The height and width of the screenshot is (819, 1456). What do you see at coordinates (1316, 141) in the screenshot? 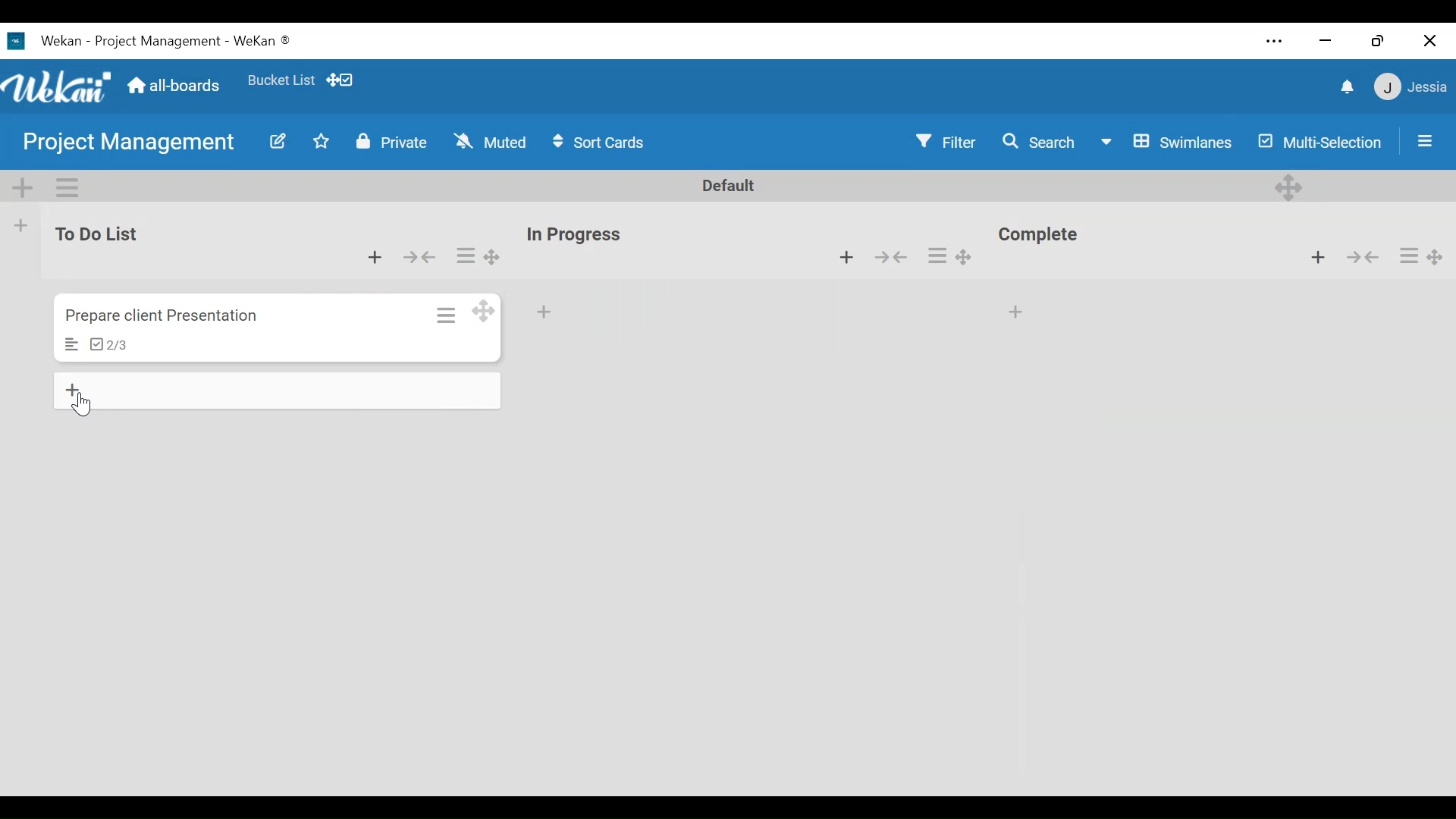
I see `Multi-selection` at bounding box center [1316, 141].